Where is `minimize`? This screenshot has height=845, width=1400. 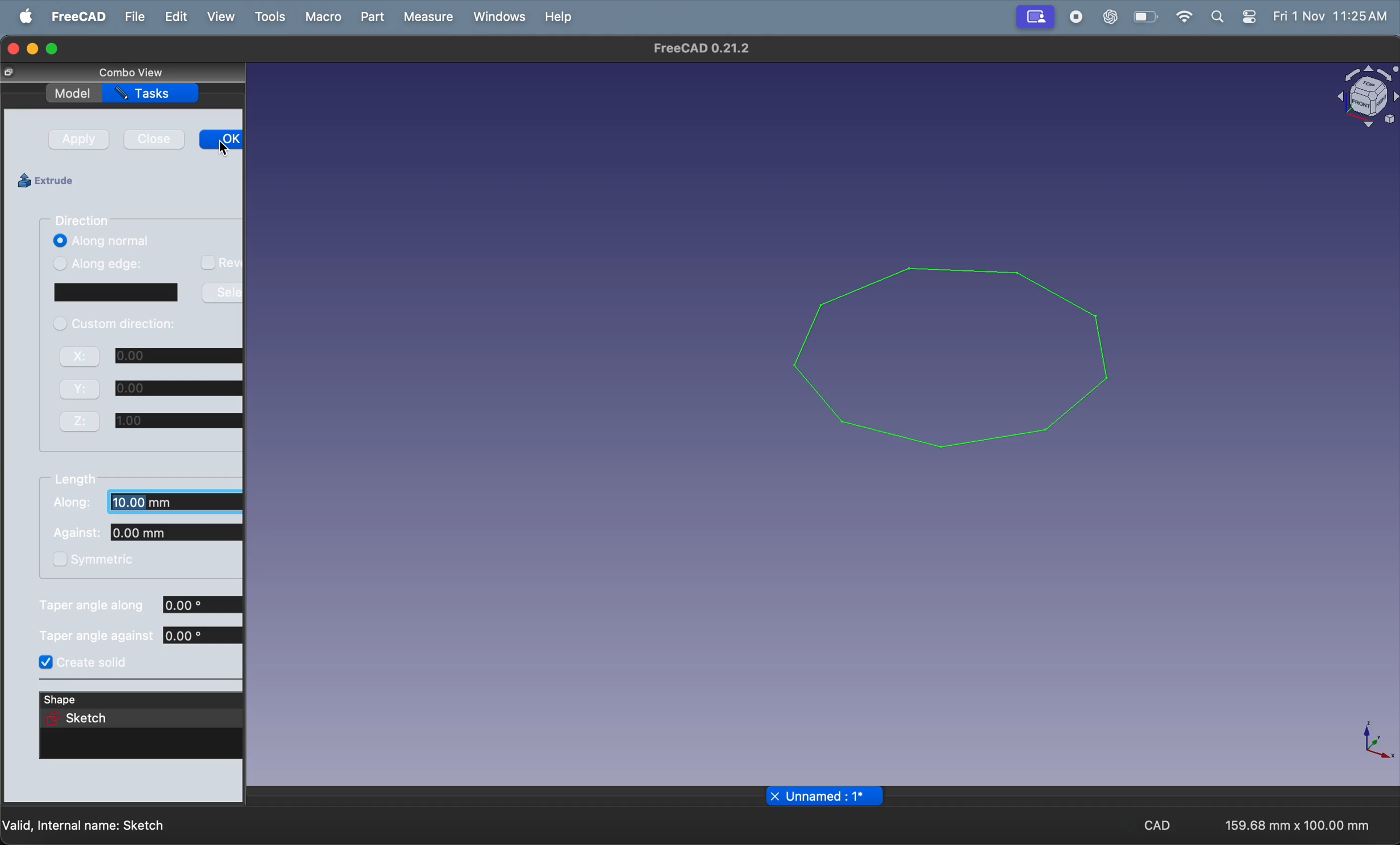 minimize is located at coordinates (33, 49).